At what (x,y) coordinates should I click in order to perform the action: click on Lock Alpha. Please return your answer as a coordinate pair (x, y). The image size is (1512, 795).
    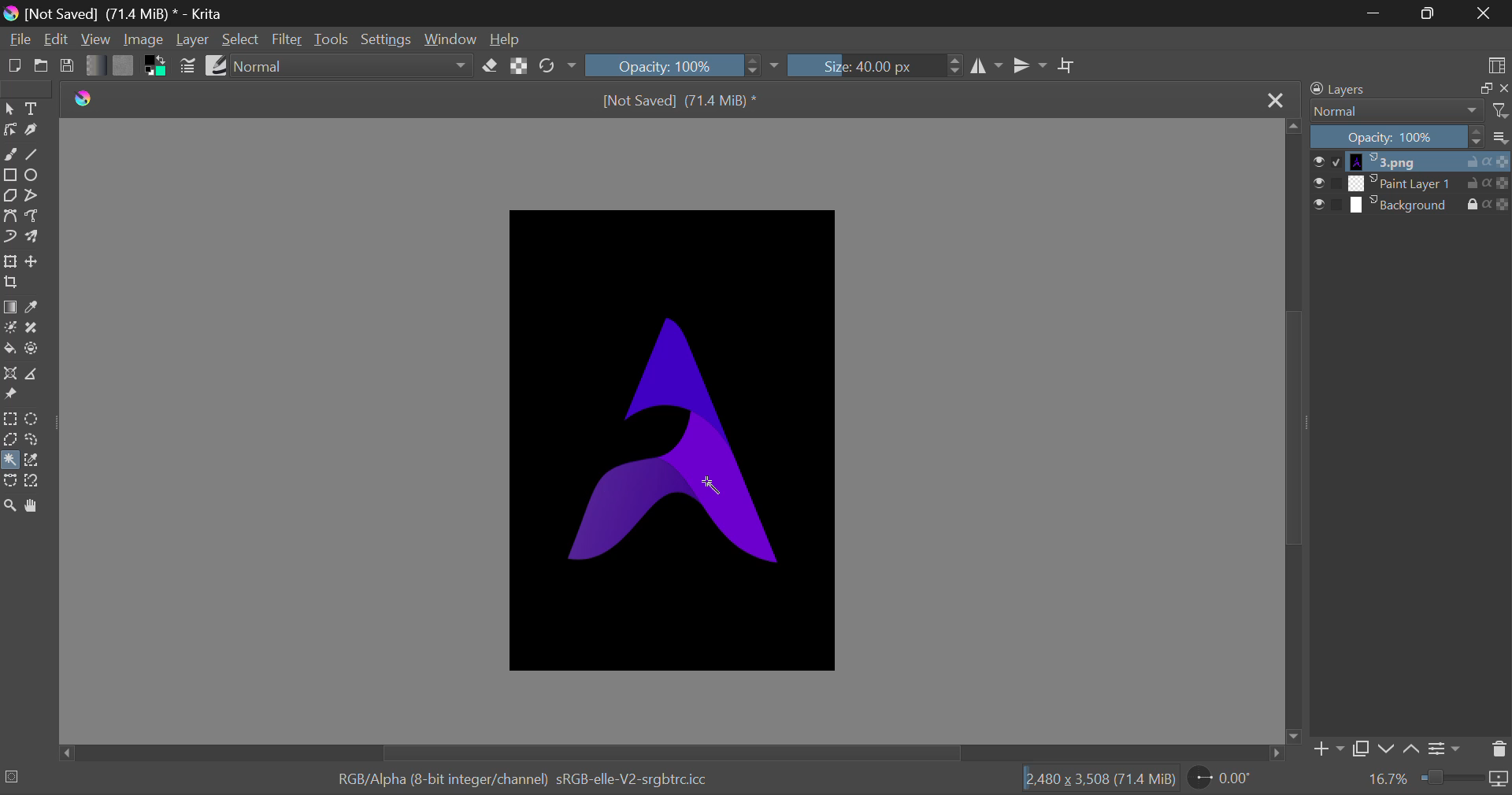
    Looking at the image, I should click on (519, 67).